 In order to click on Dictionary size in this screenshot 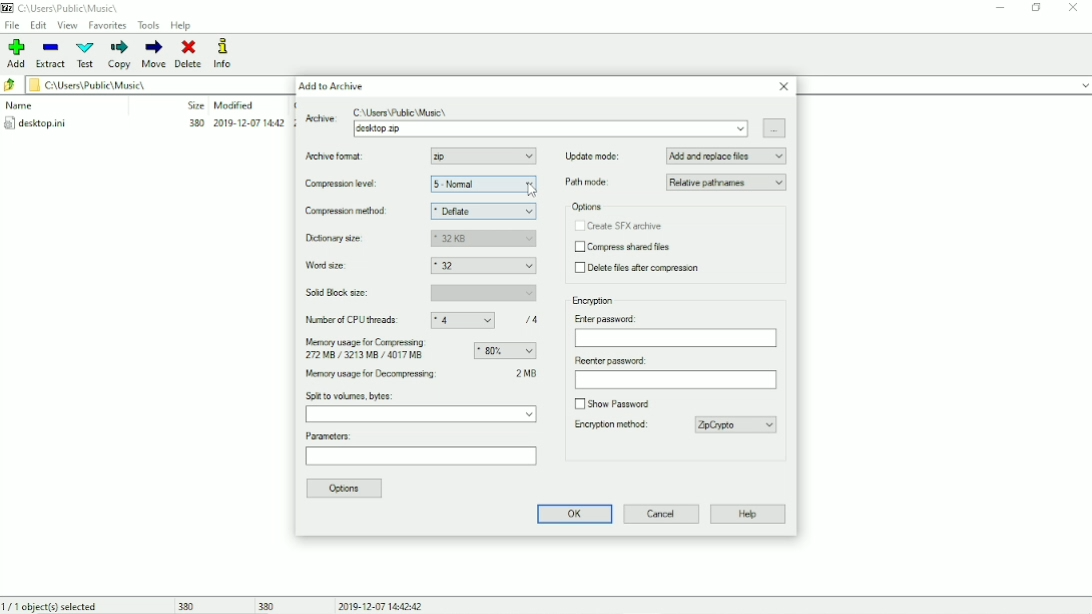, I will do `click(355, 239)`.